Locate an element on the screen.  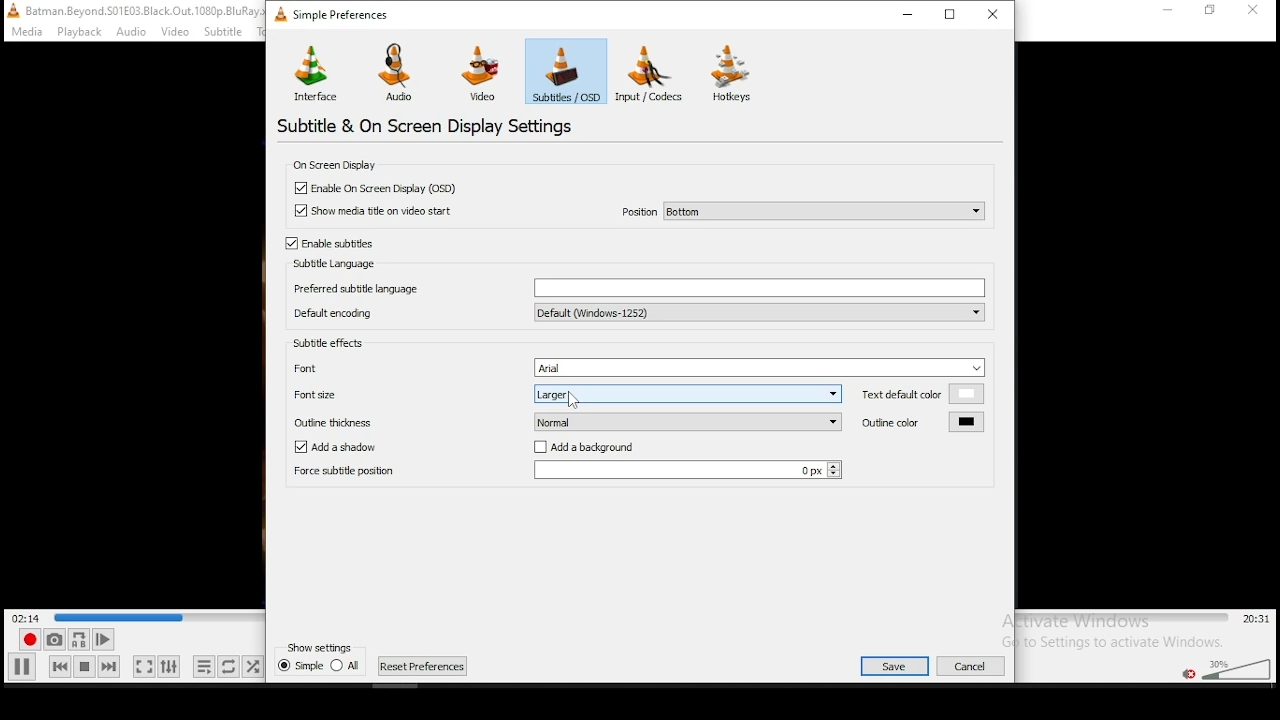
 is located at coordinates (23, 32).